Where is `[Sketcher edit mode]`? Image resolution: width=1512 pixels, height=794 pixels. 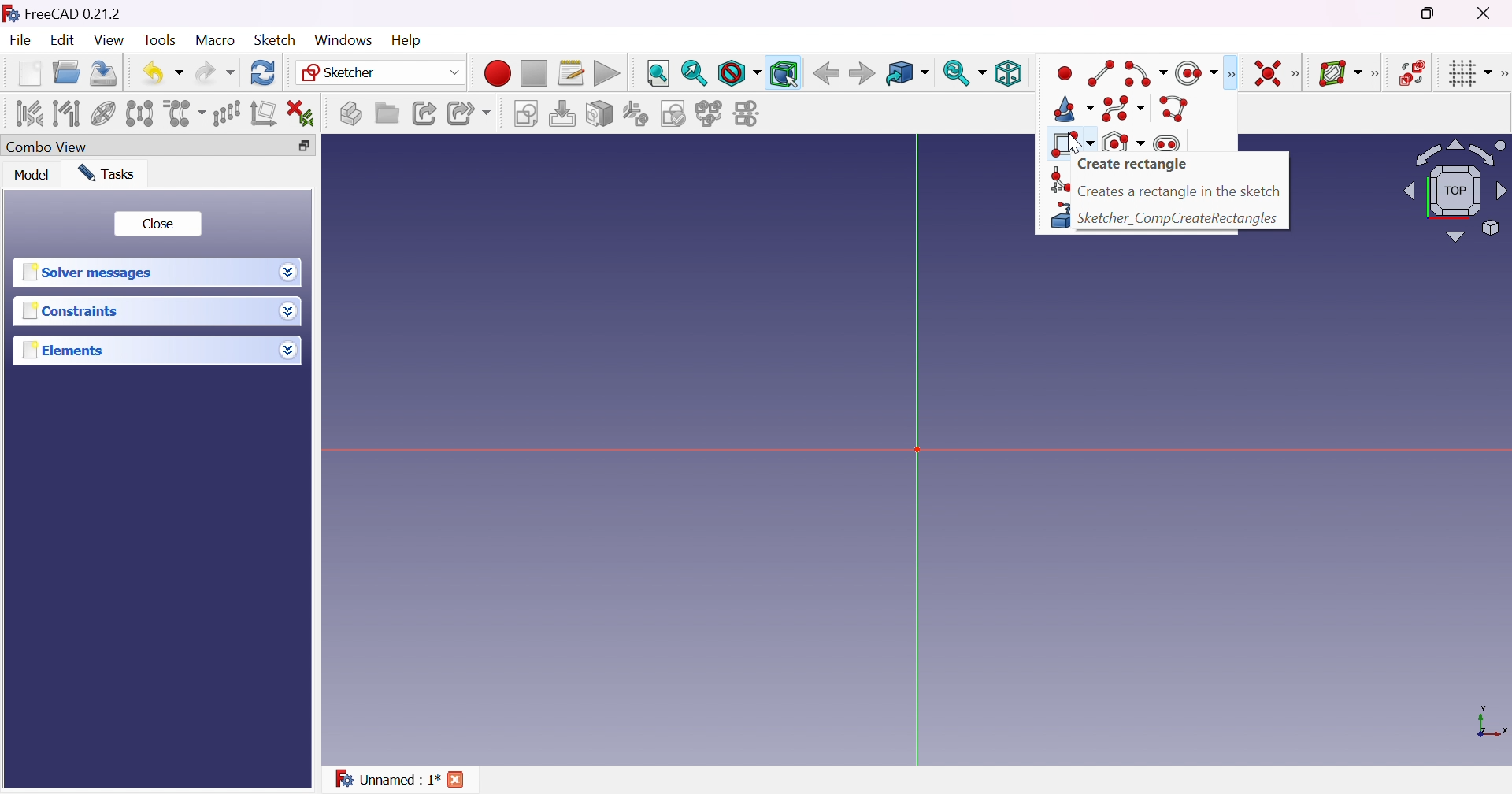 [Sketcher edit mode] is located at coordinates (1168, 72).